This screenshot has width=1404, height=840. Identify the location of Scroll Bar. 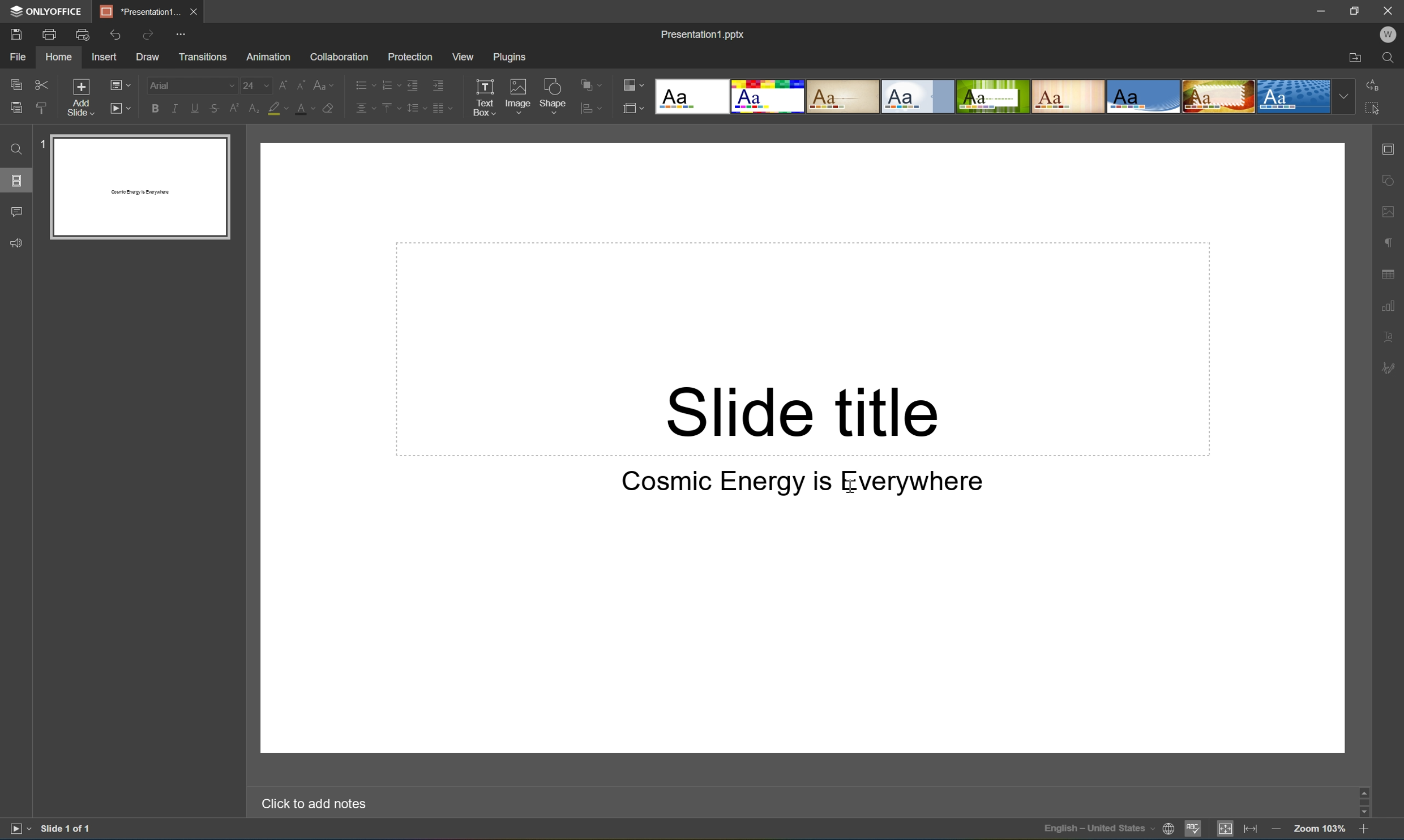
(1363, 802).